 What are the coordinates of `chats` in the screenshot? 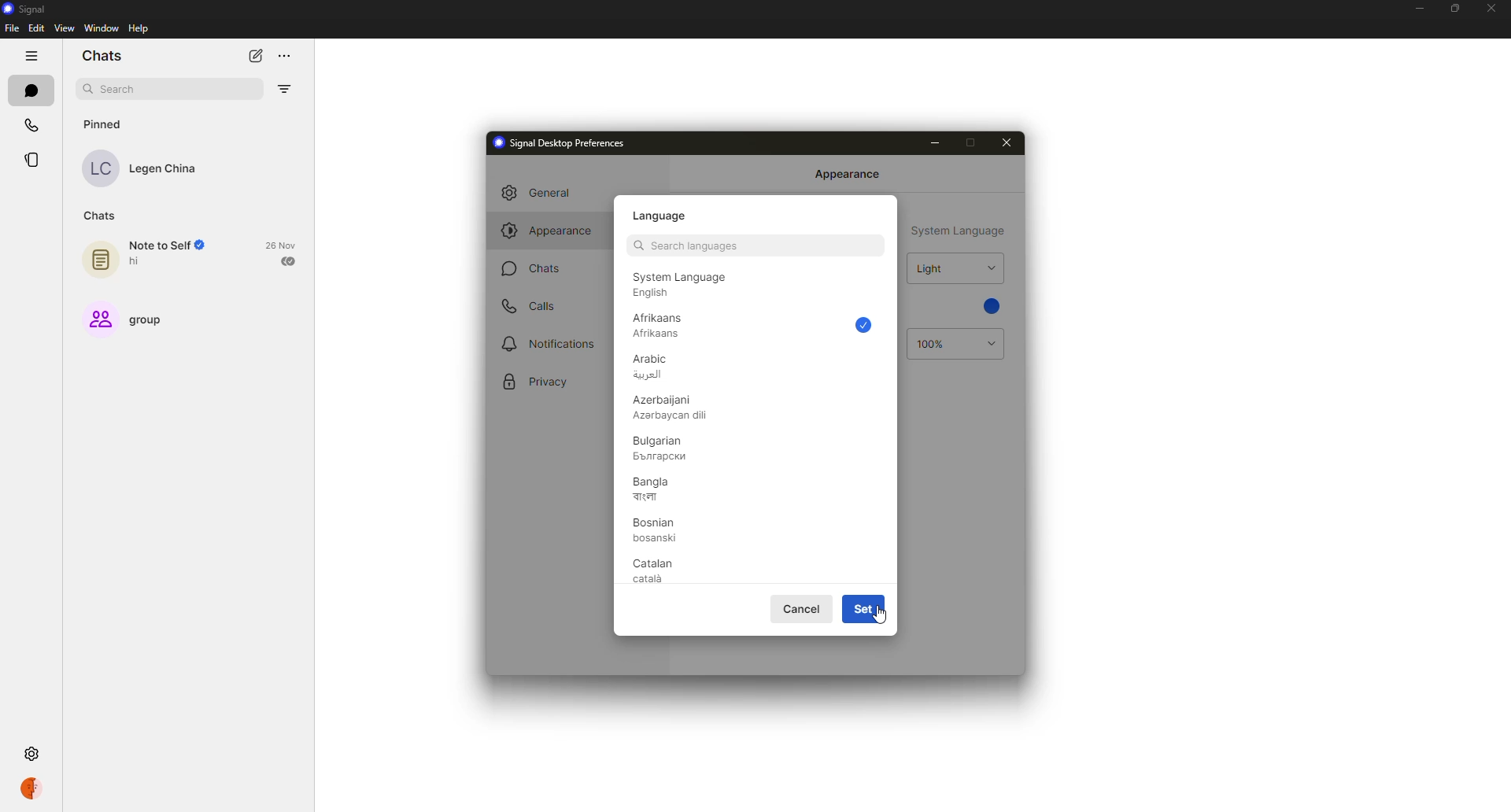 It's located at (100, 216).